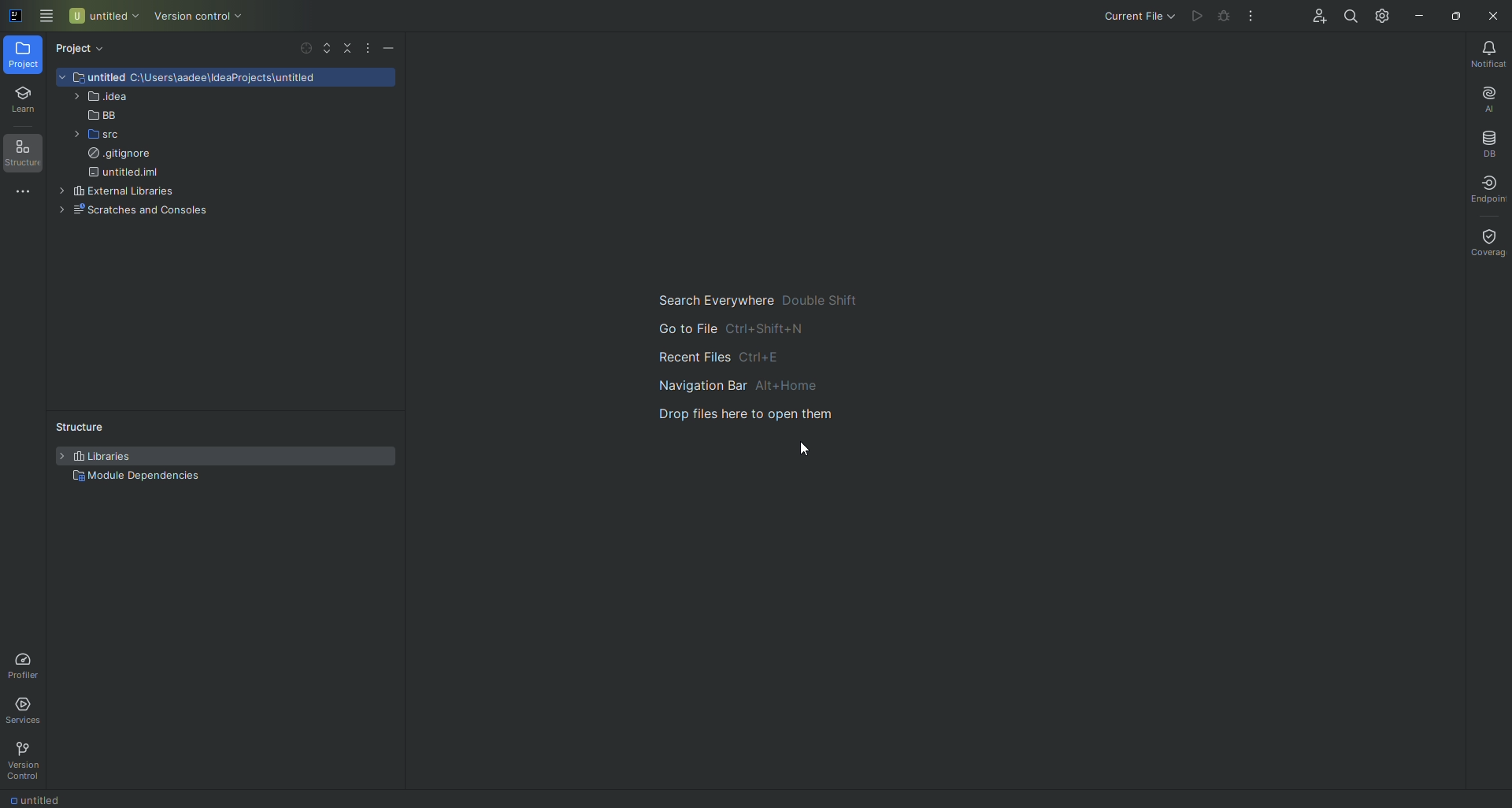  Describe the element at coordinates (25, 665) in the screenshot. I see `Profiler` at that location.